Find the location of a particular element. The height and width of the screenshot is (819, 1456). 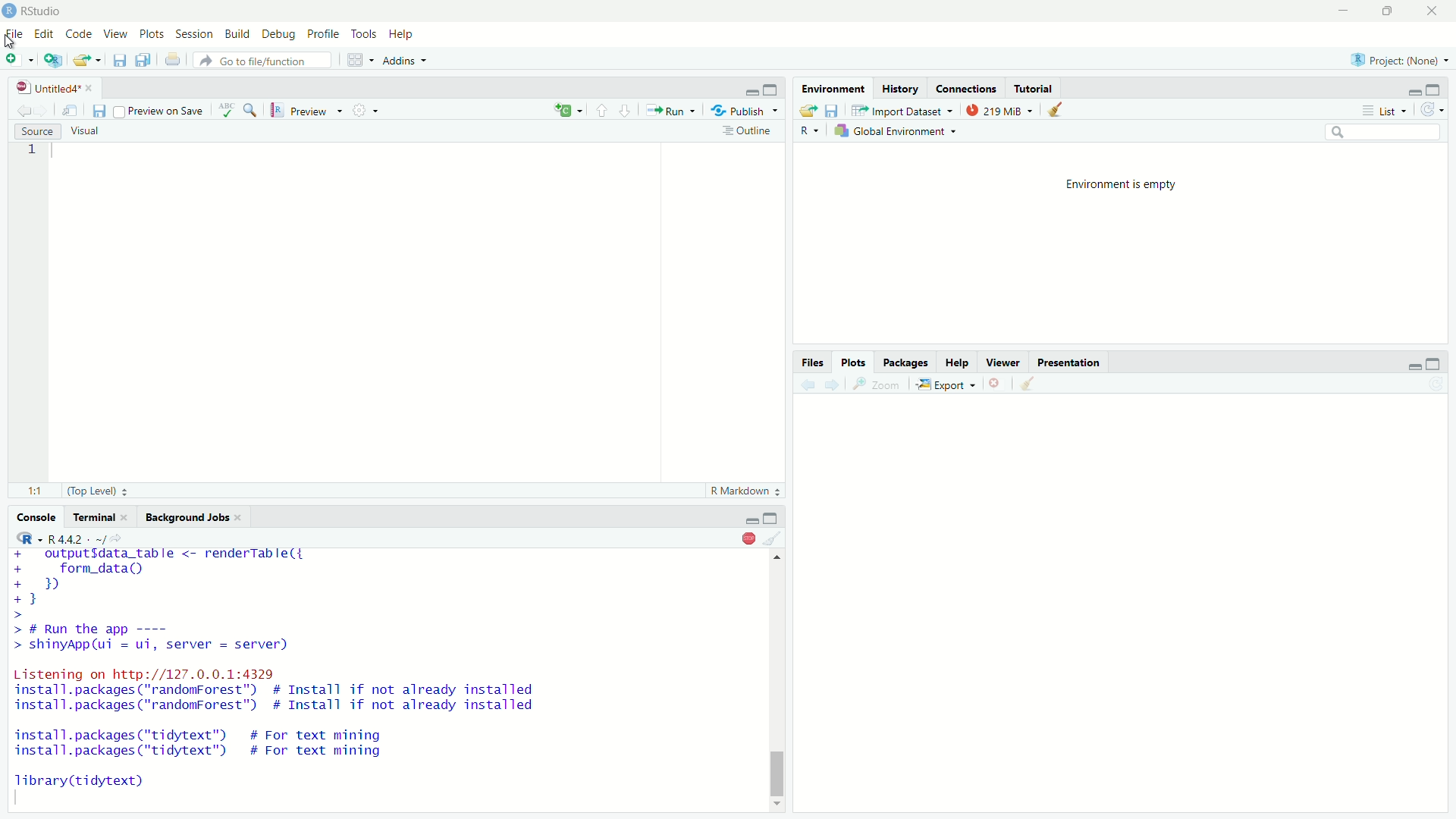

plots is located at coordinates (852, 362).